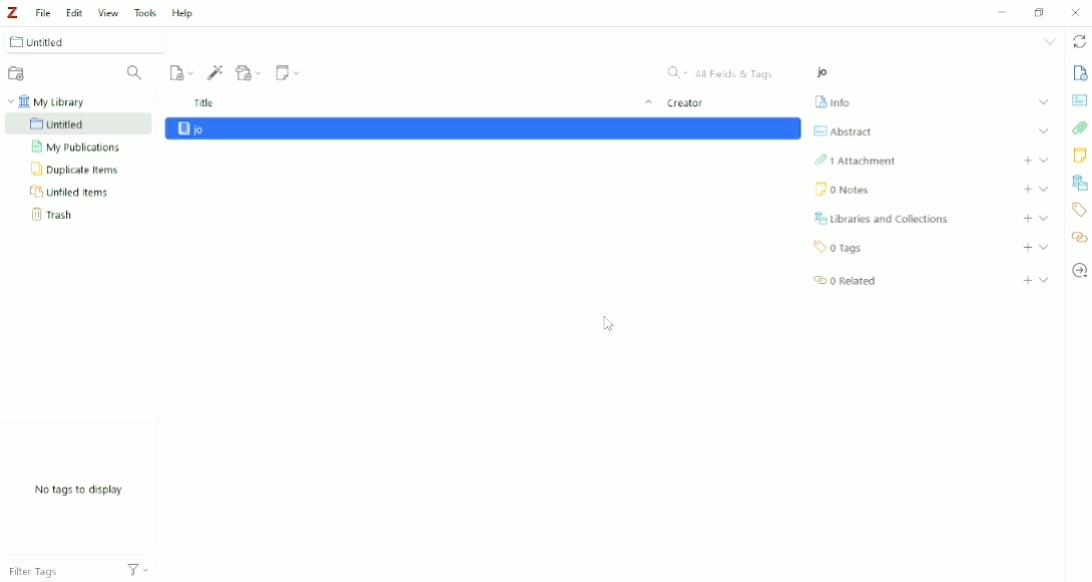  What do you see at coordinates (844, 248) in the screenshot?
I see `Tags` at bounding box center [844, 248].